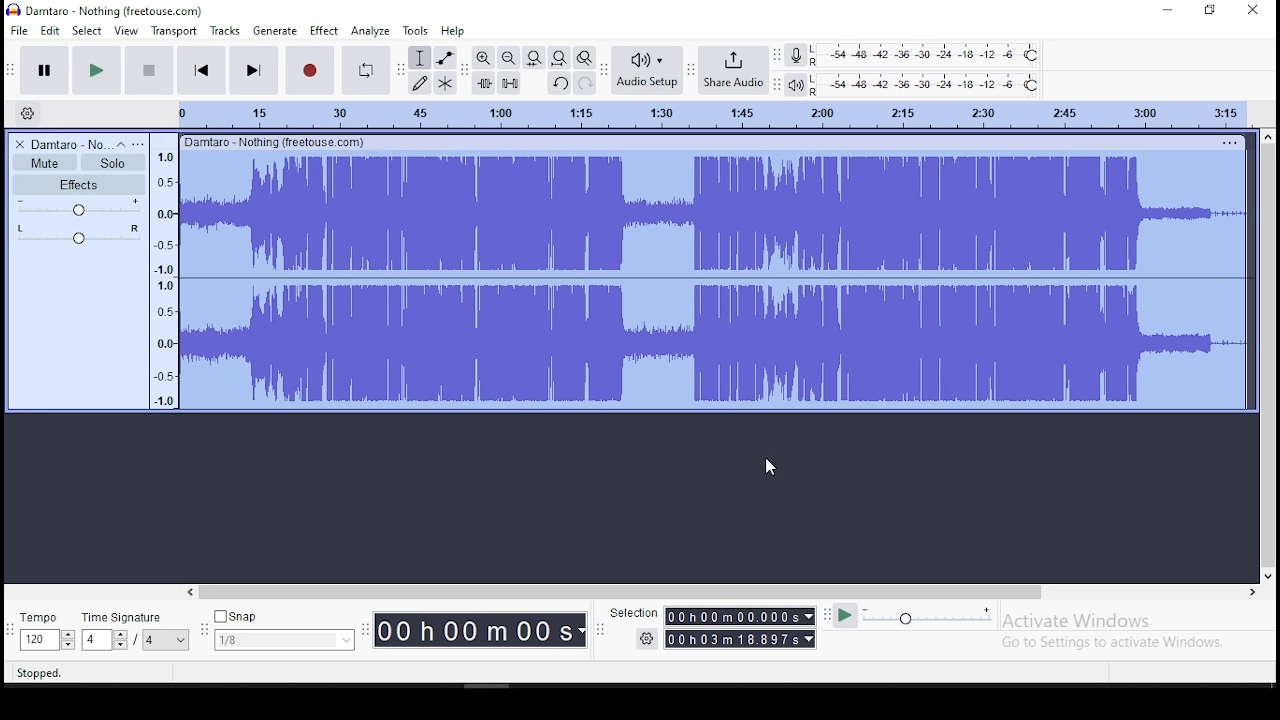 The image size is (1280, 720). What do you see at coordinates (1268, 356) in the screenshot?
I see `scroll bar` at bounding box center [1268, 356].